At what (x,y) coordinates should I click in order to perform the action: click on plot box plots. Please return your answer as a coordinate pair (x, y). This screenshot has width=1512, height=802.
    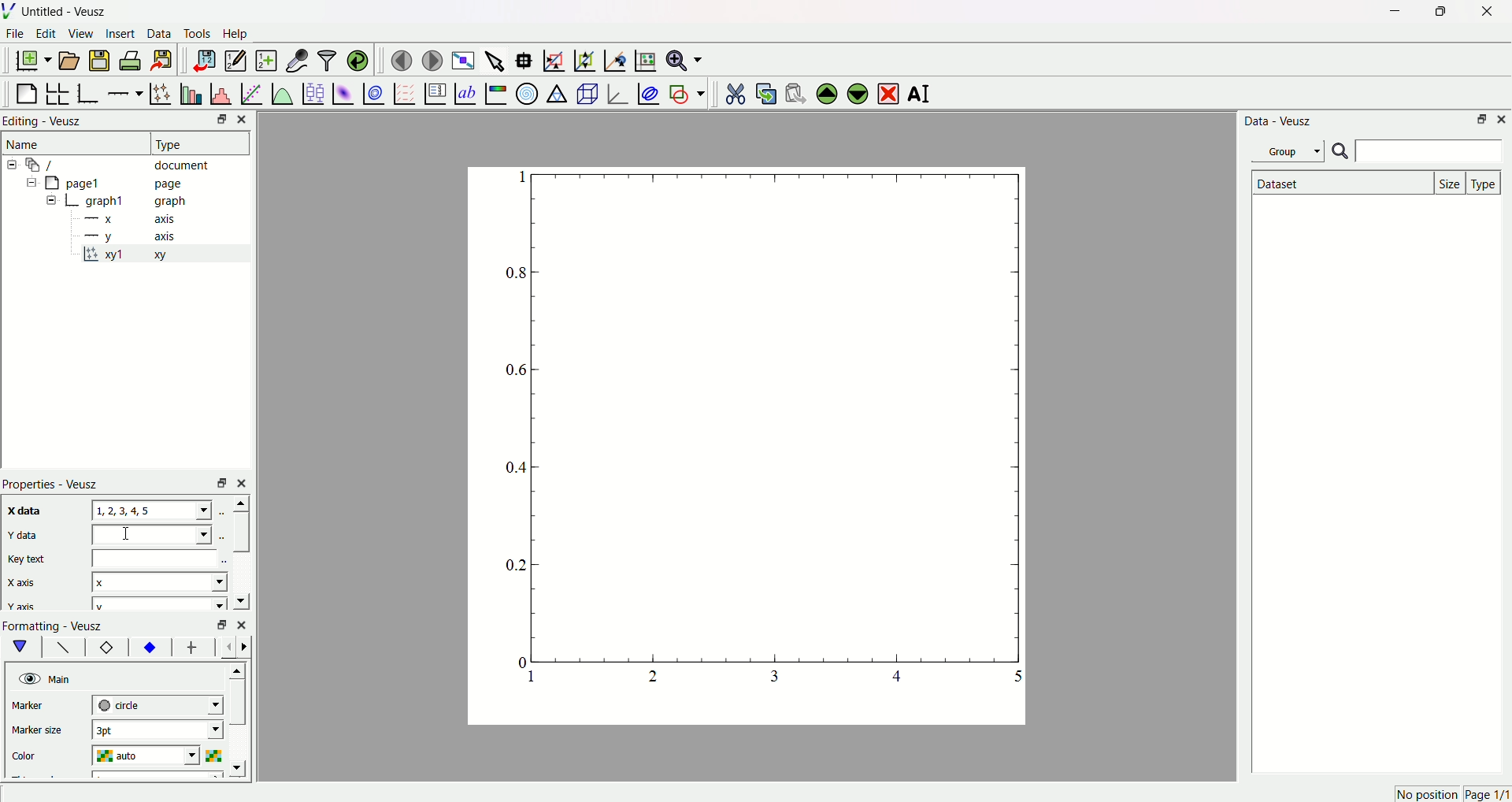
    Looking at the image, I should click on (313, 91).